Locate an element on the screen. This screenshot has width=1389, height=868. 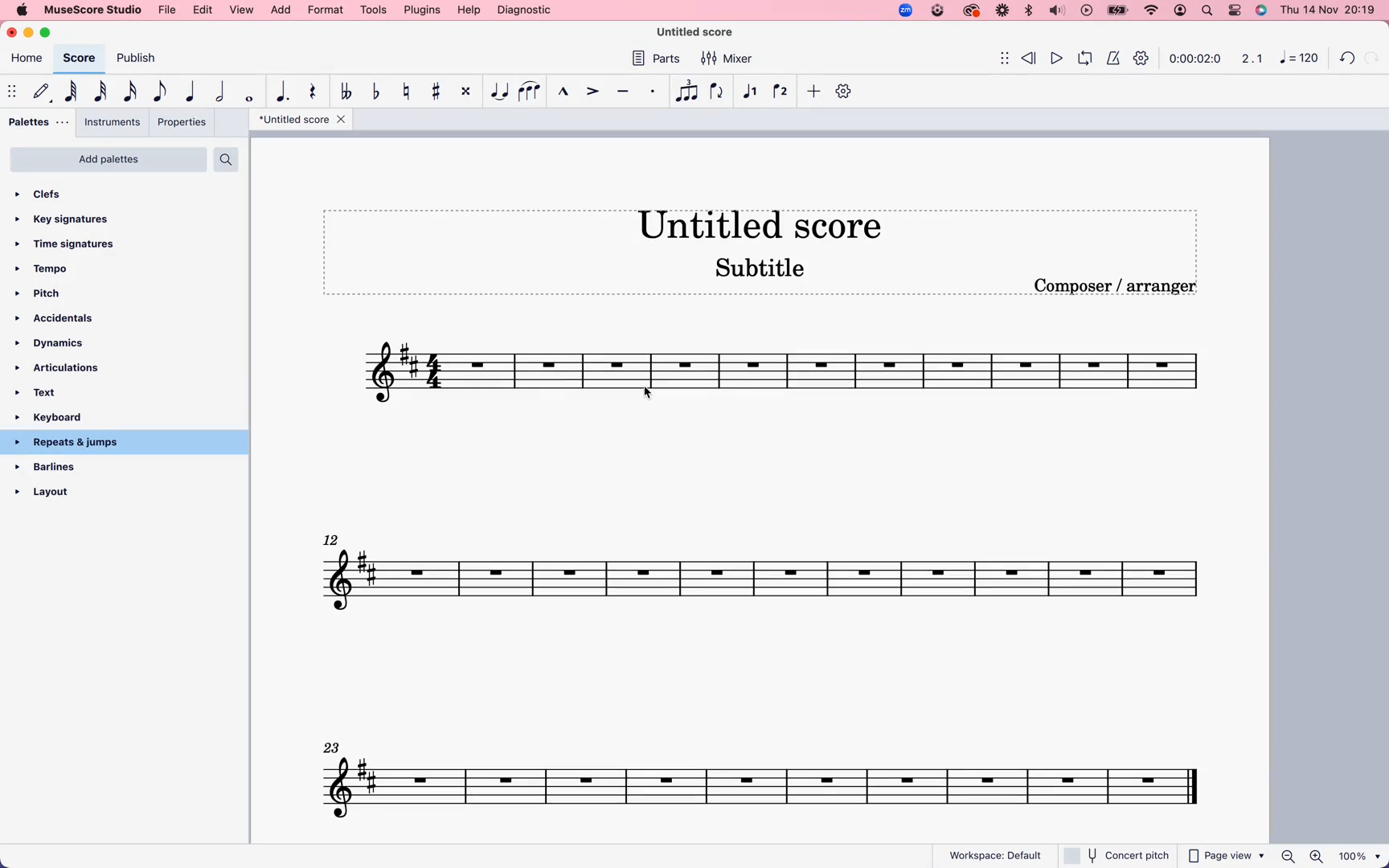
tempo is located at coordinates (51, 269).